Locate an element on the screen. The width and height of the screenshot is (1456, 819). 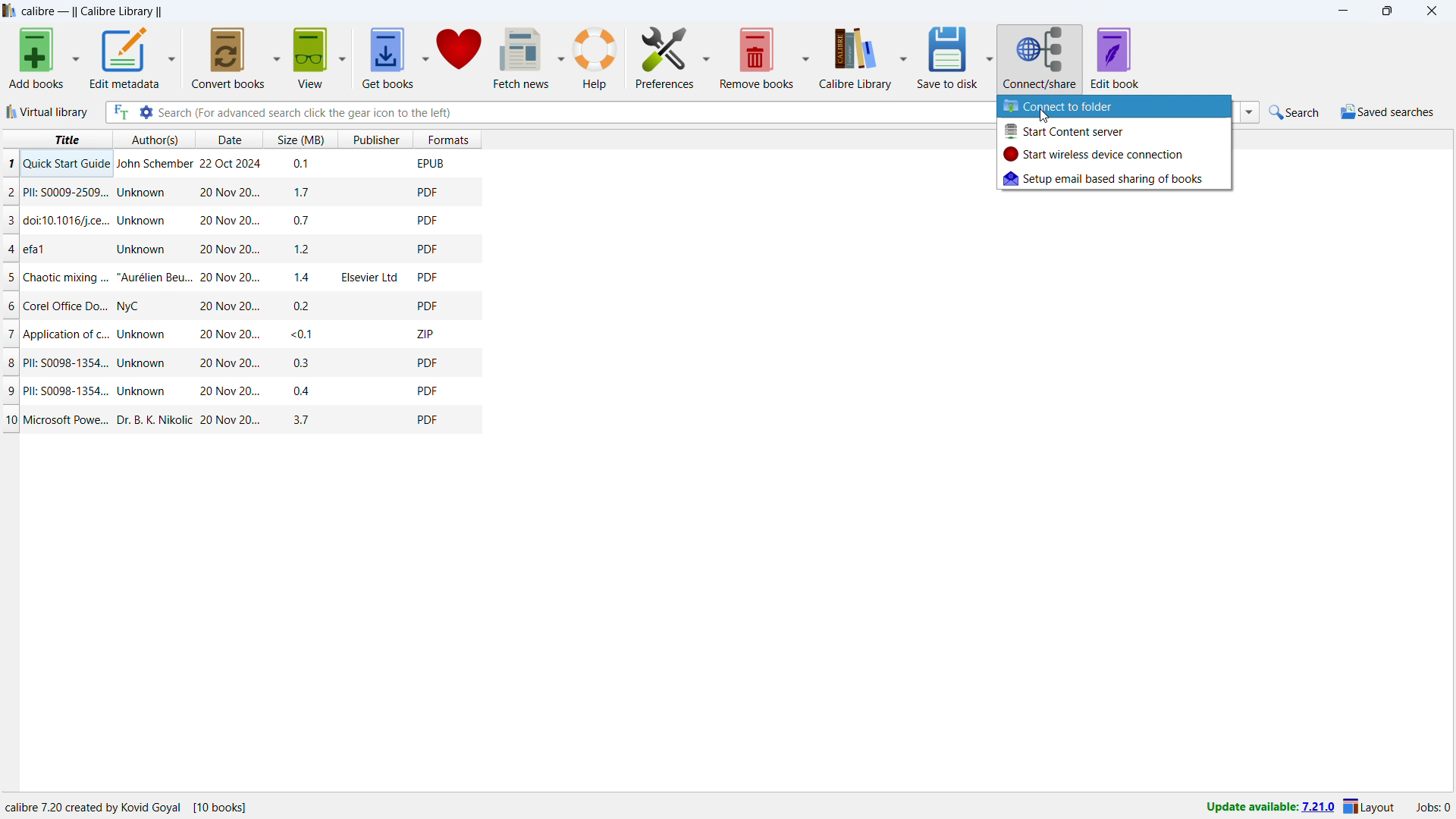
enter search string is located at coordinates (575, 111).